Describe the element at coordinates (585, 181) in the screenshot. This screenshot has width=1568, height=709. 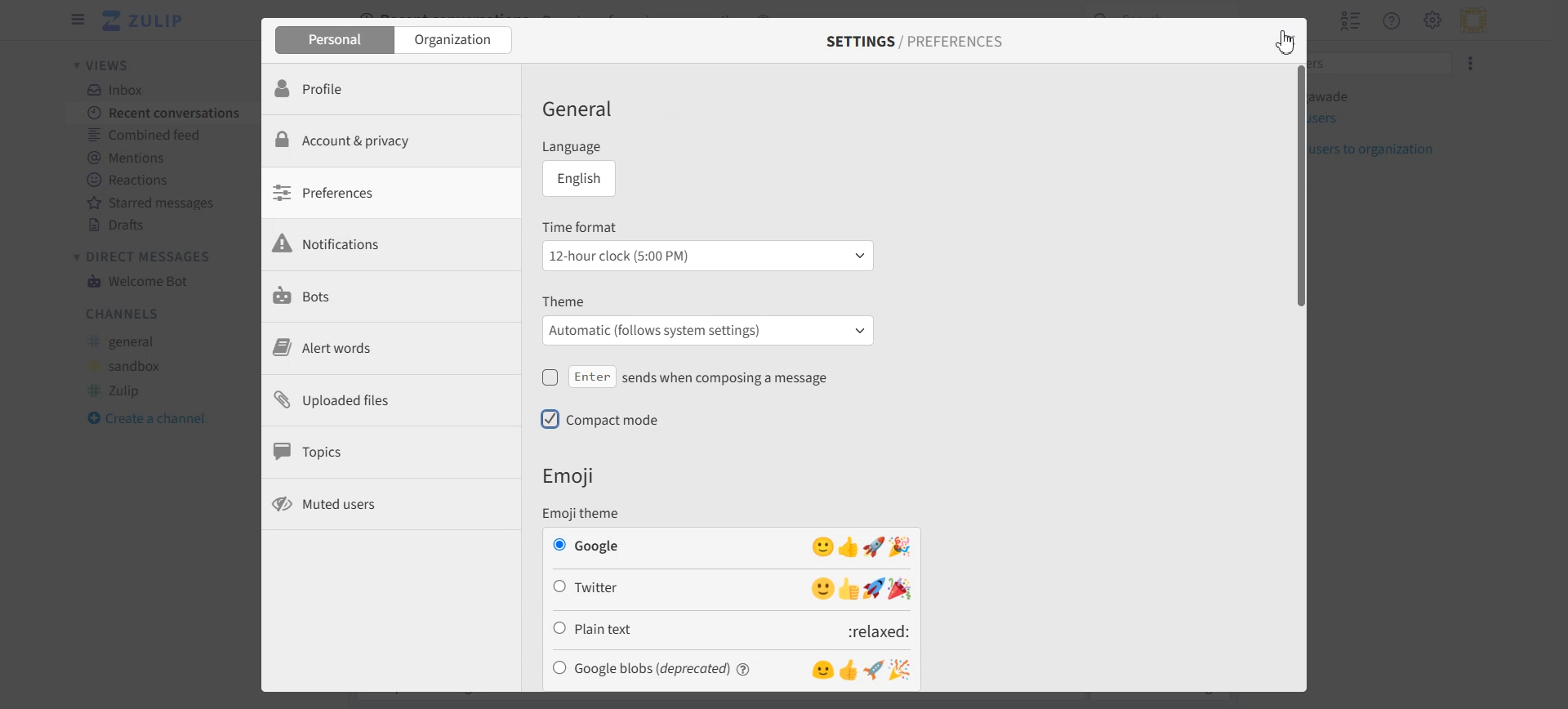
I see `English` at that location.